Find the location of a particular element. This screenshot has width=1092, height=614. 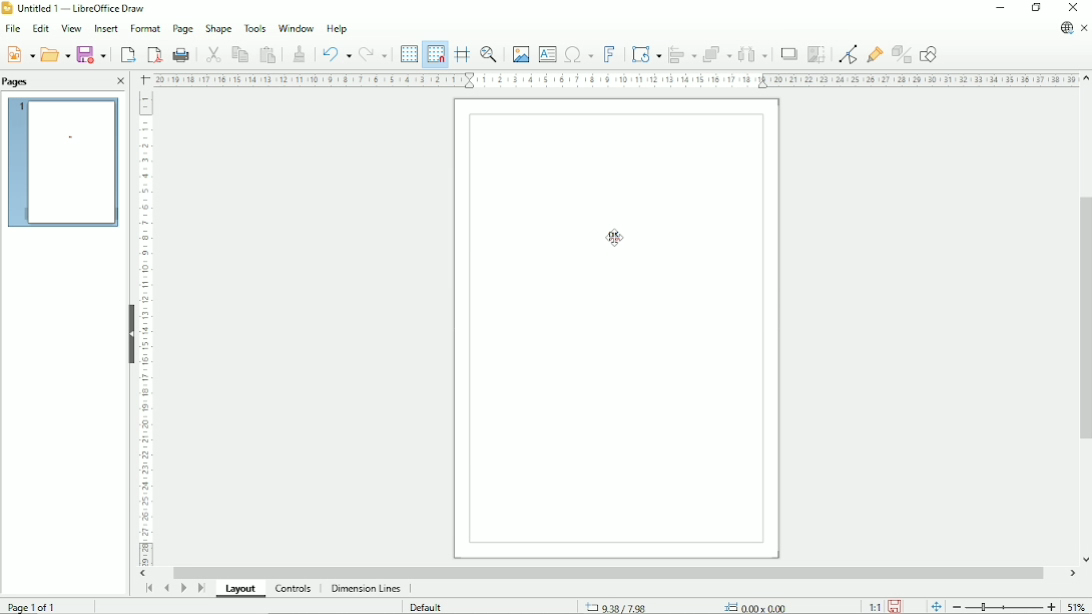

Cut is located at coordinates (214, 54).